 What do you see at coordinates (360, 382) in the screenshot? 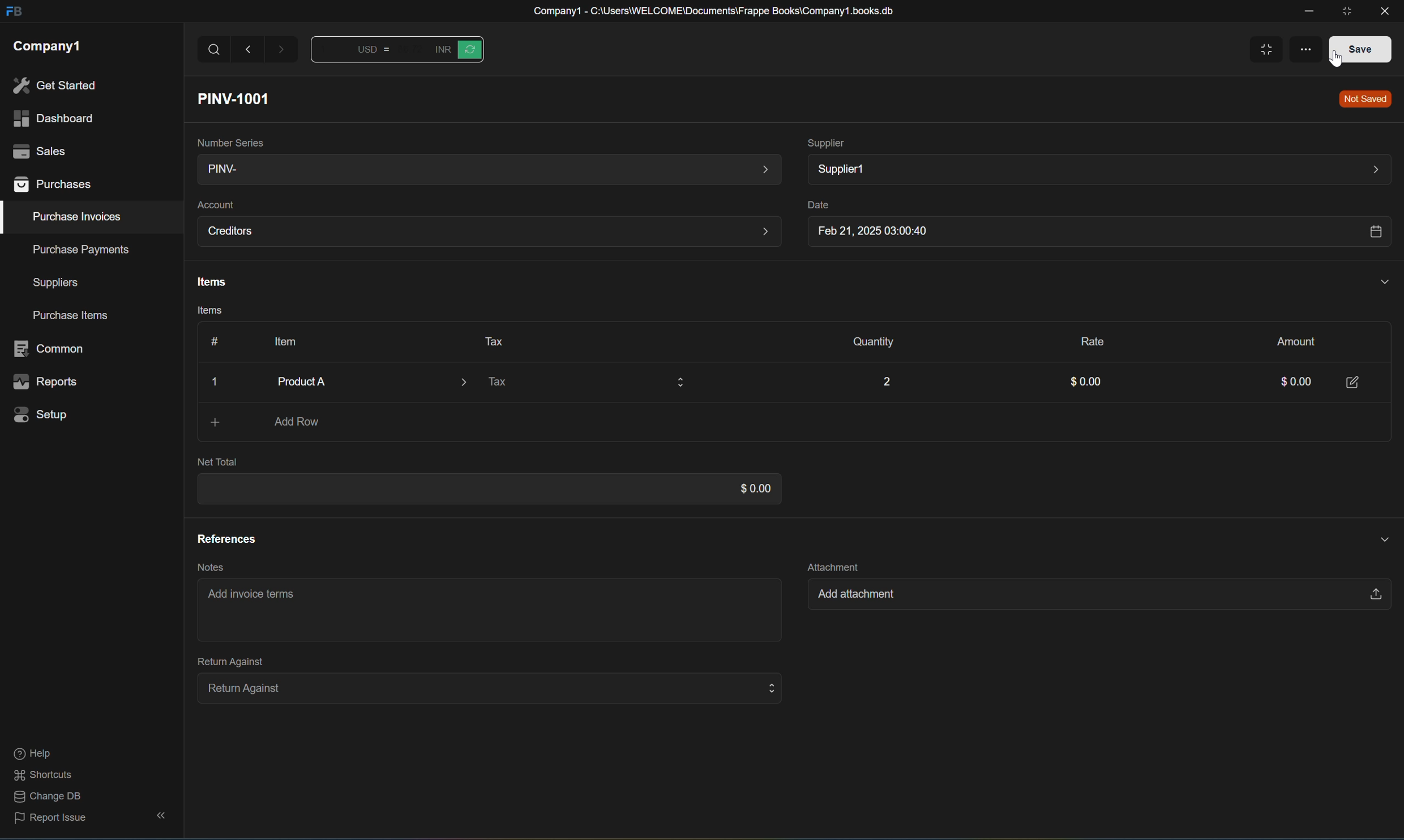
I see `Product A` at bounding box center [360, 382].